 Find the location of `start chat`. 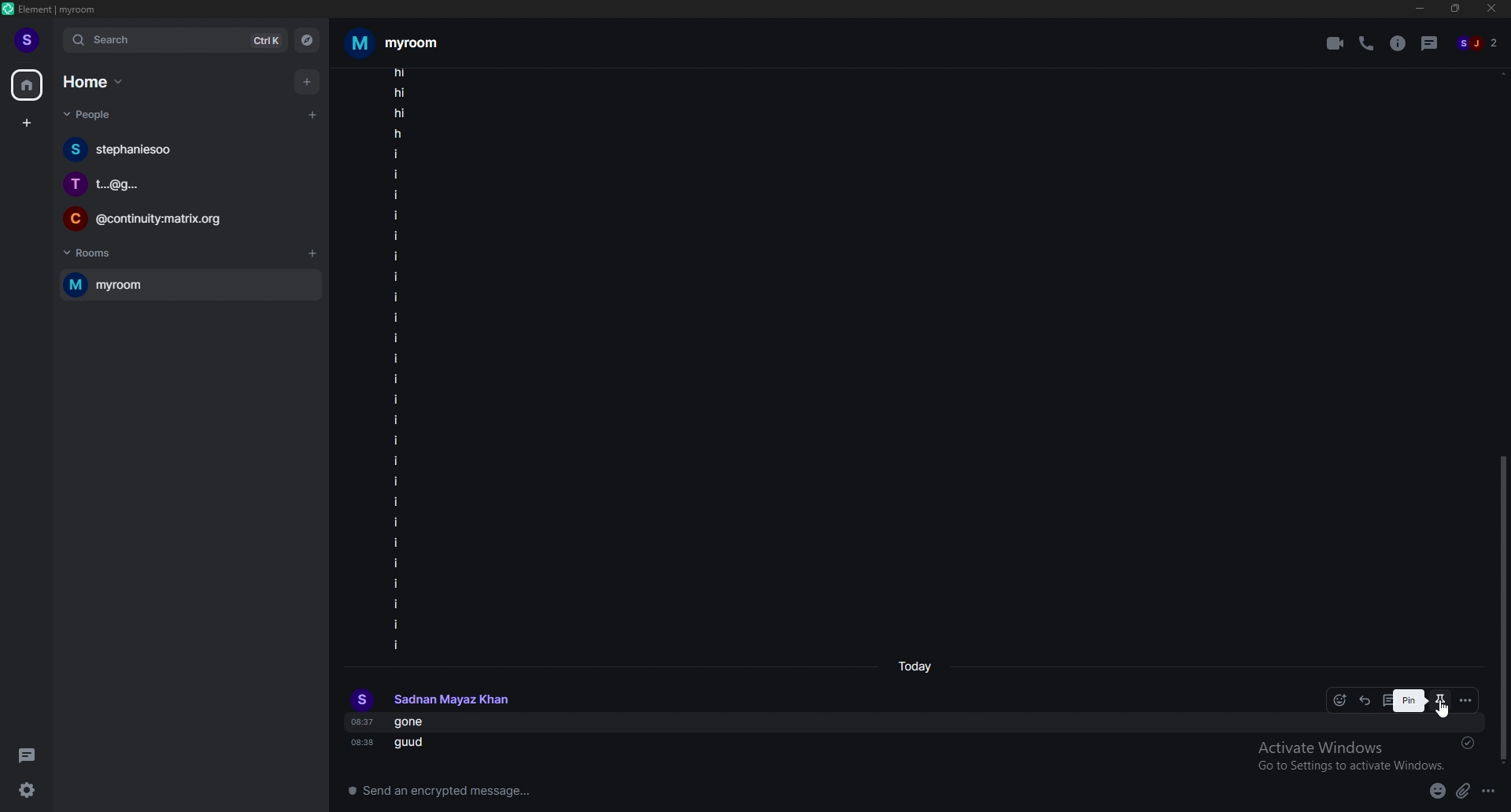

start chat is located at coordinates (313, 116).